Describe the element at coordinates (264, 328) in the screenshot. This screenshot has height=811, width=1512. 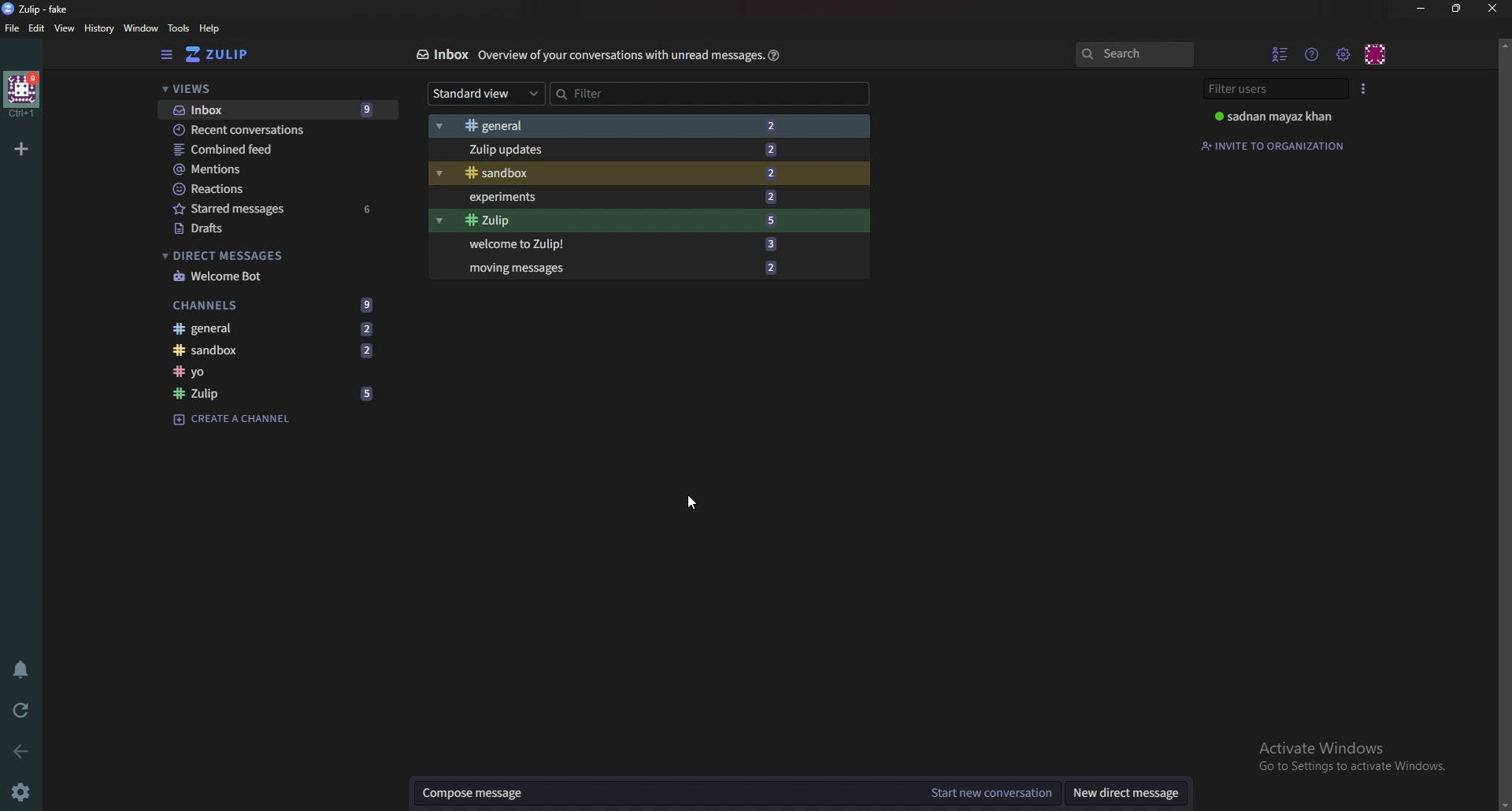
I see `General` at that location.